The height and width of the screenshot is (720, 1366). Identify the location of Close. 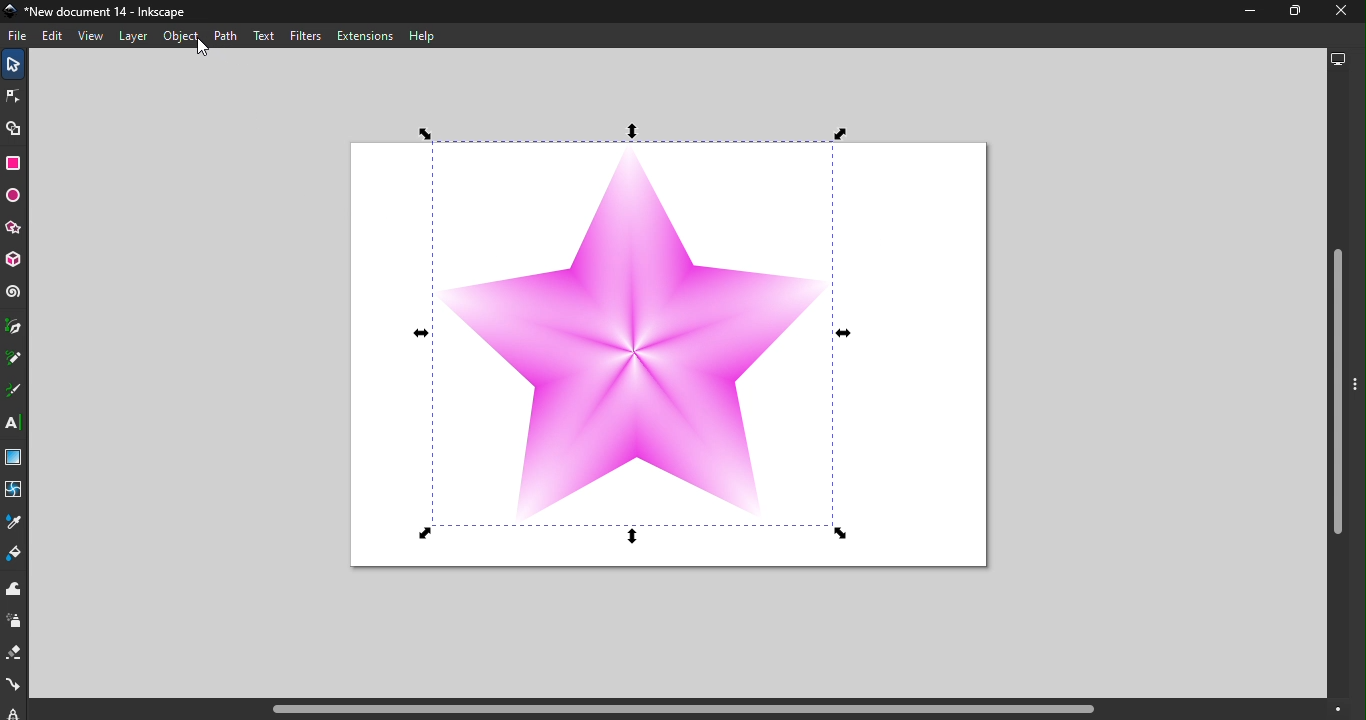
(1344, 11).